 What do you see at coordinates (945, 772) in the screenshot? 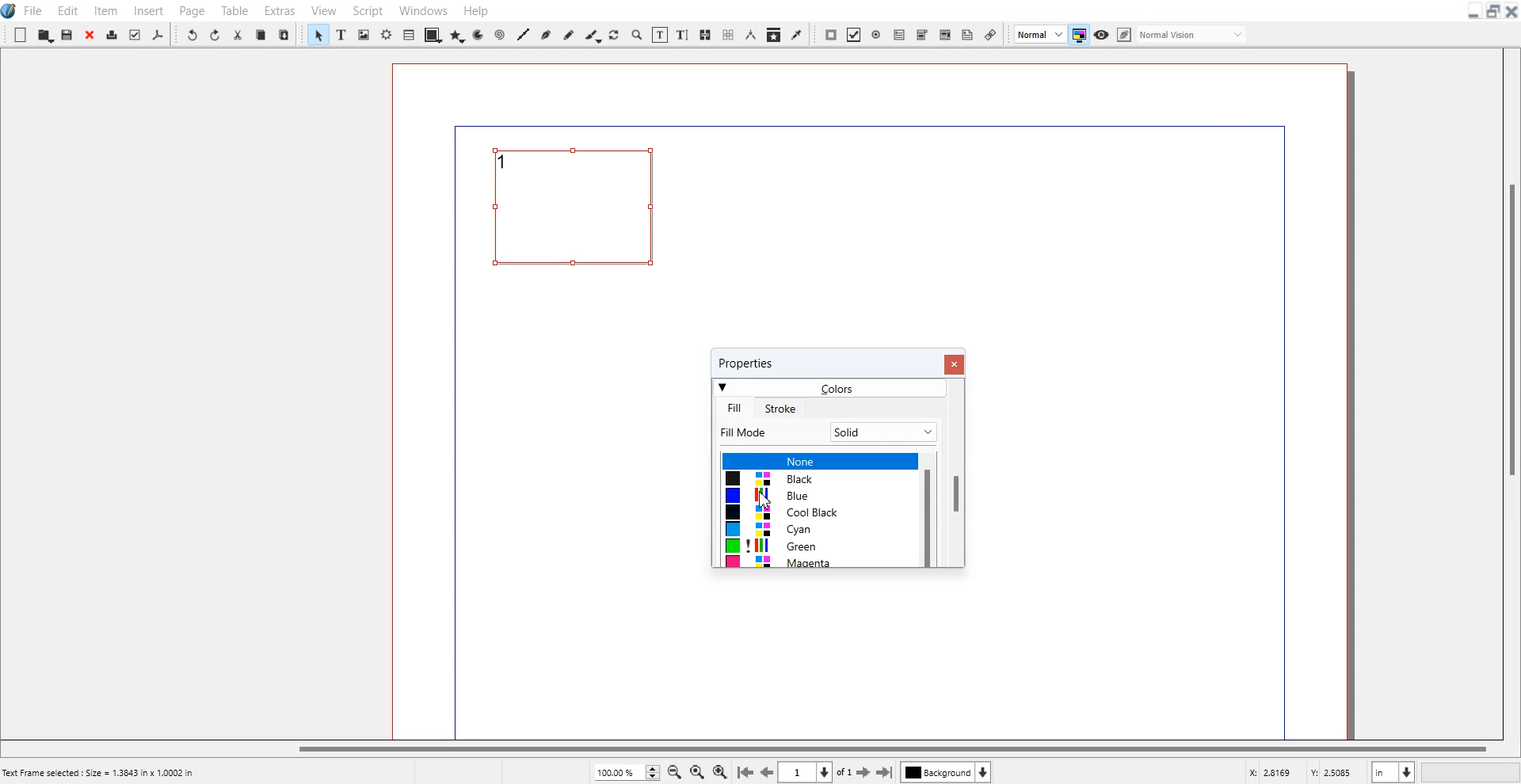
I see `Select layer background` at bounding box center [945, 772].